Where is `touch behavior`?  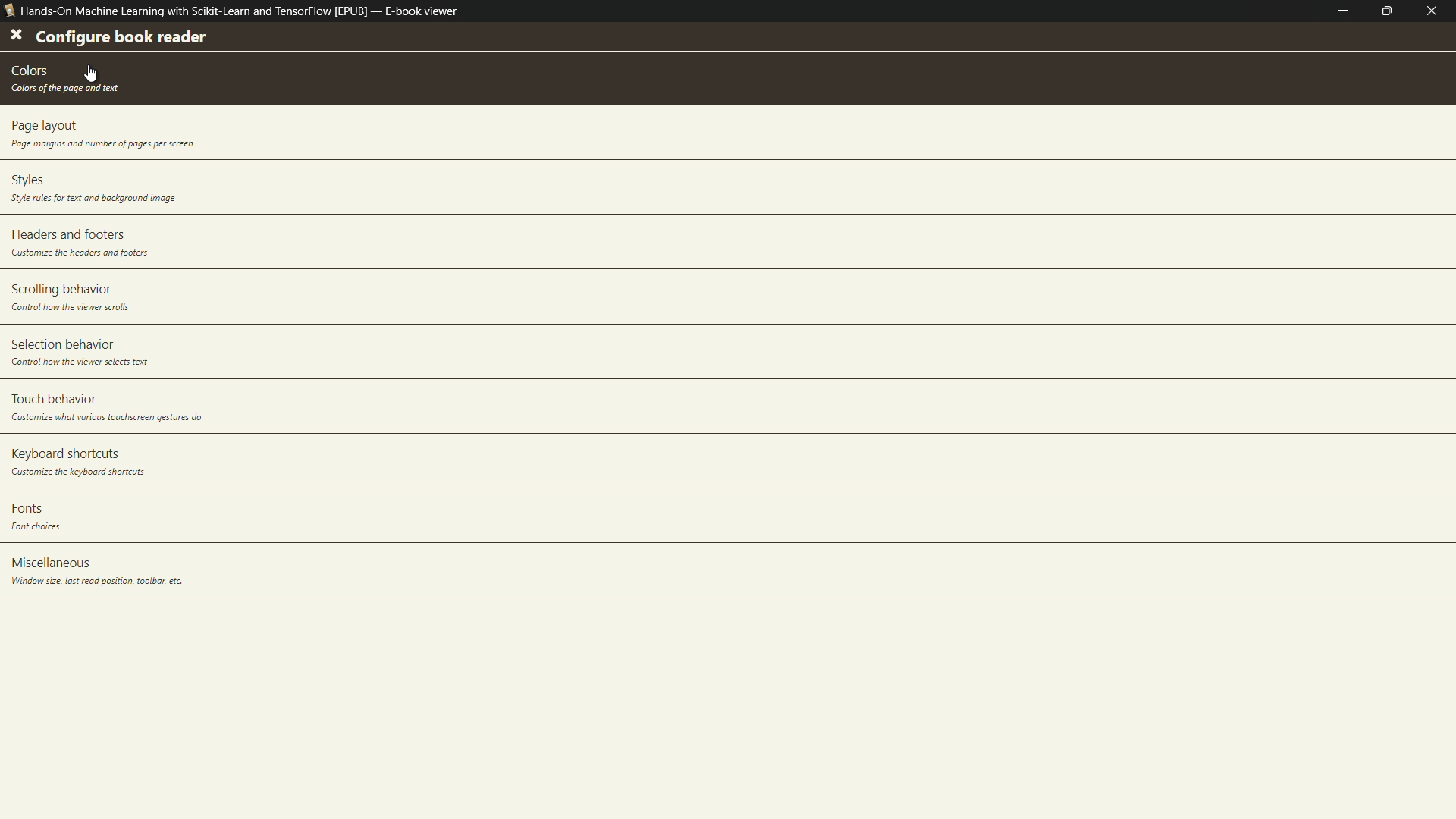
touch behavior is located at coordinates (57, 399).